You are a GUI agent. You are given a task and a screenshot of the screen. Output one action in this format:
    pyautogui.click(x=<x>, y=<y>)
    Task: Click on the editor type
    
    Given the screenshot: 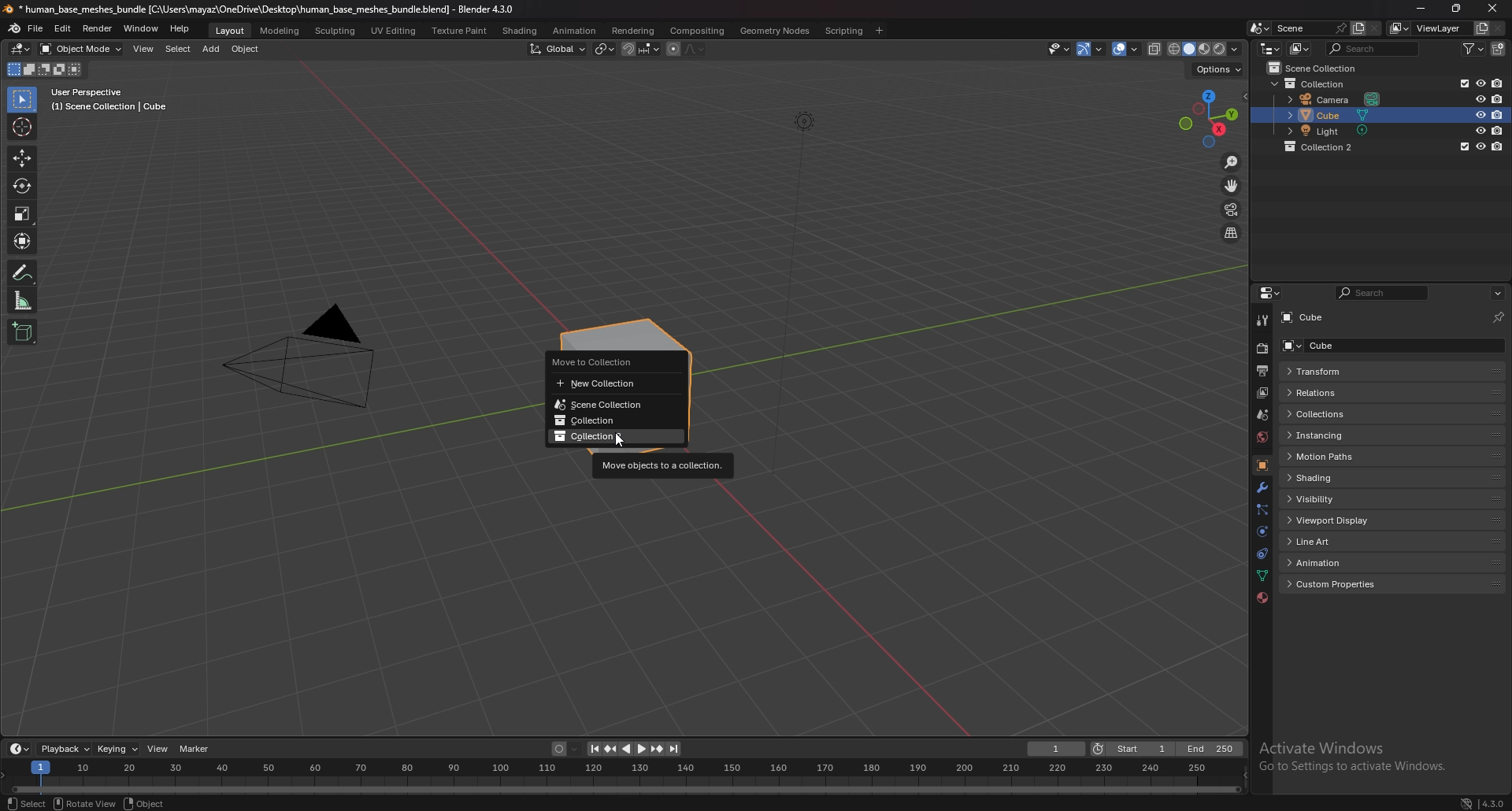 What is the action you would take?
    pyautogui.click(x=20, y=748)
    